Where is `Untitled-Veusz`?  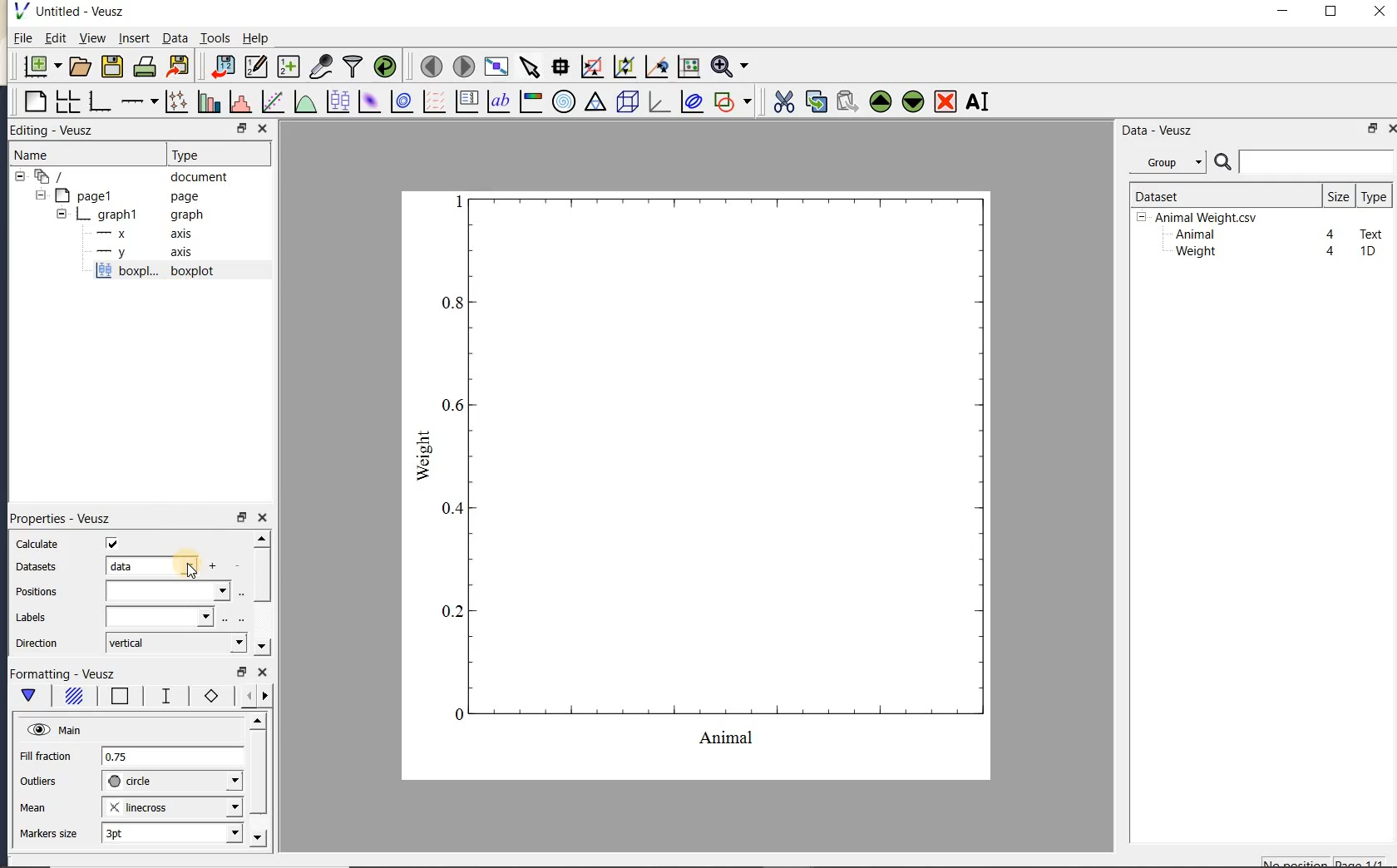
Untitled-Veusz is located at coordinates (74, 12).